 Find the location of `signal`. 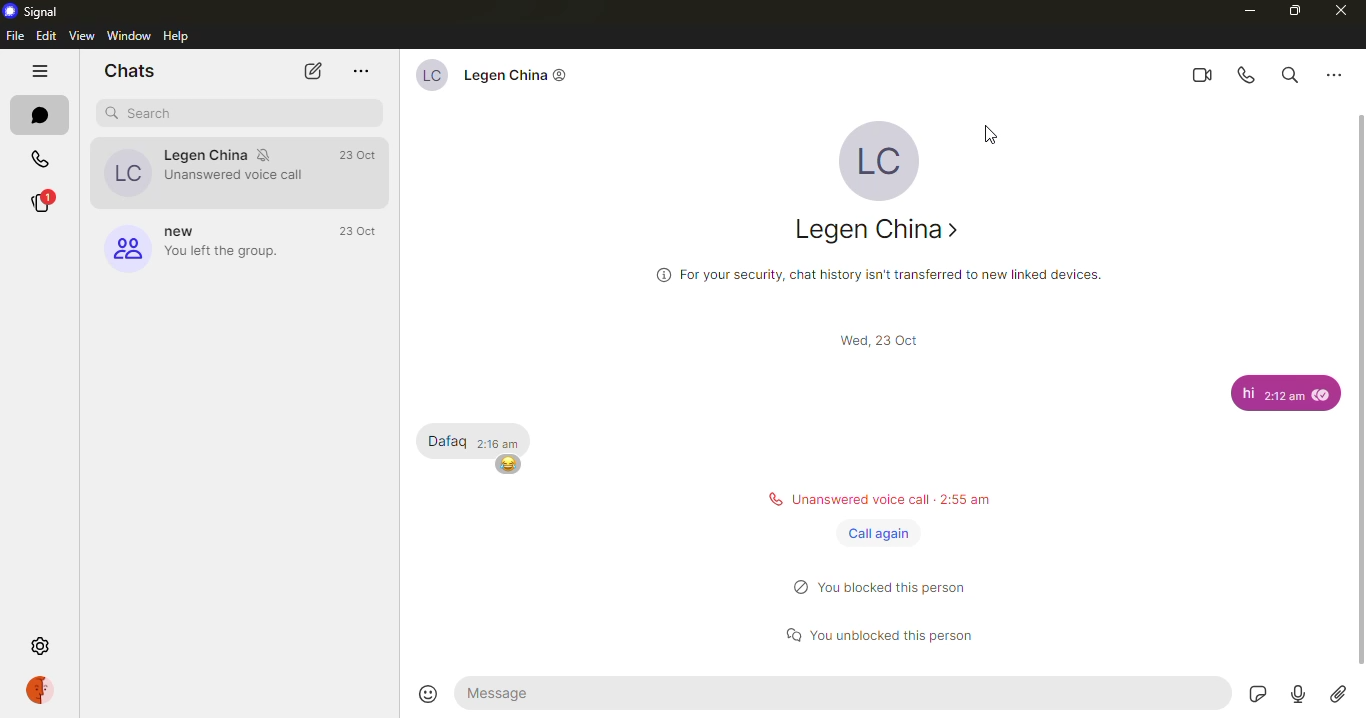

signal is located at coordinates (38, 10).